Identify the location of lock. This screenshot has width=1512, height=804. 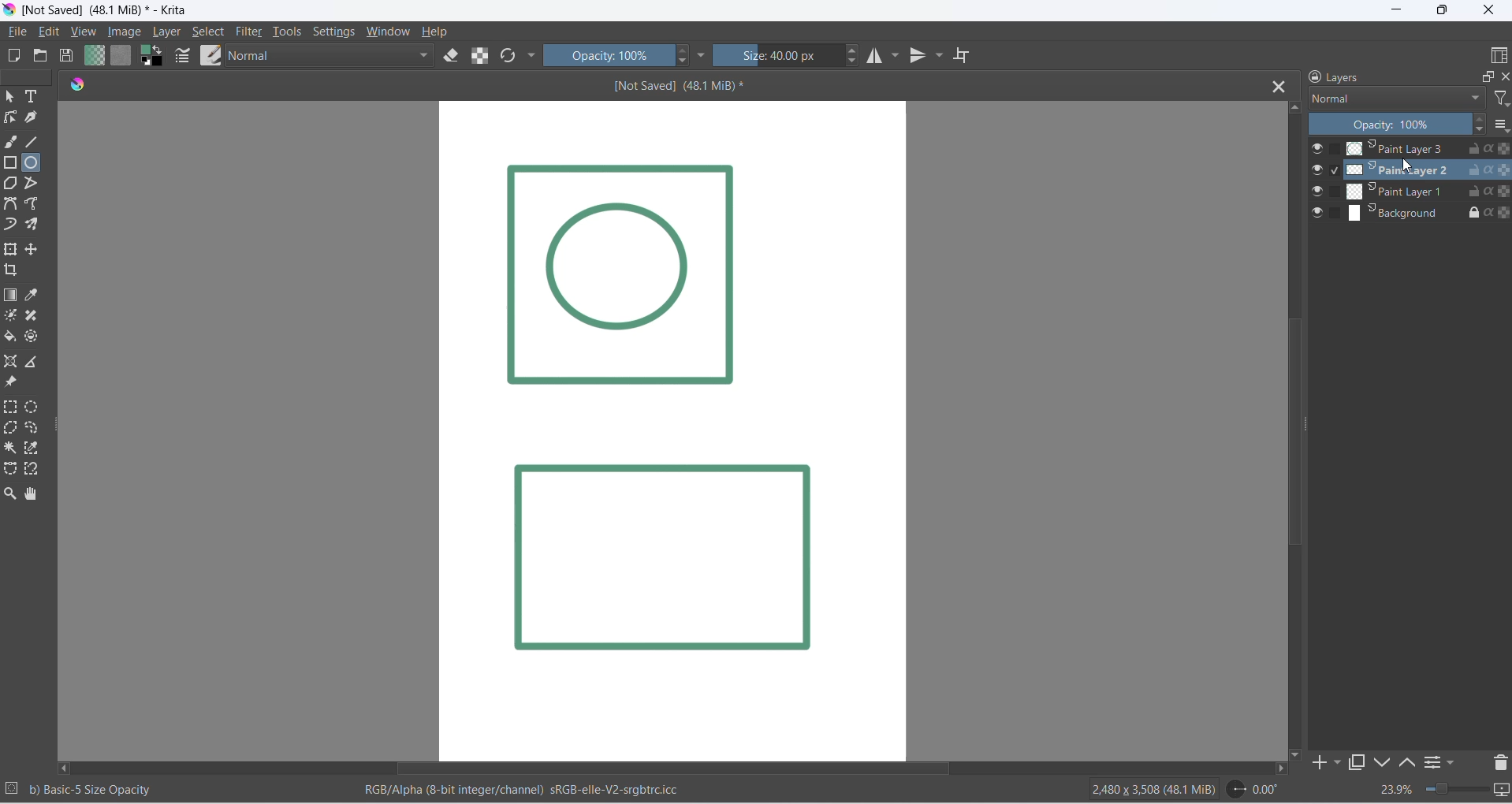
(1471, 210).